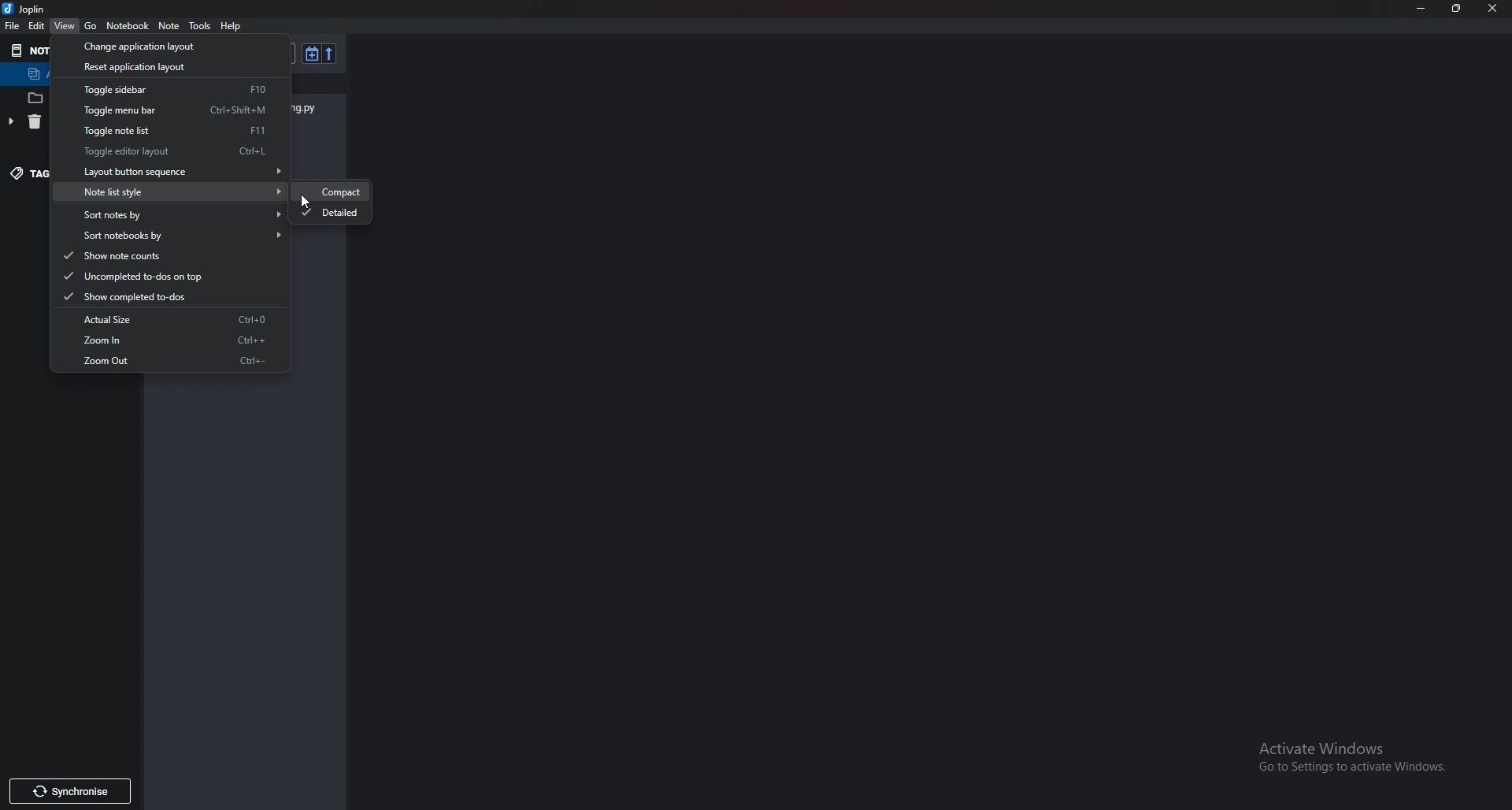  Describe the element at coordinates (172, 235) in the screenshot. I see `Sort notebooks by` at that location.